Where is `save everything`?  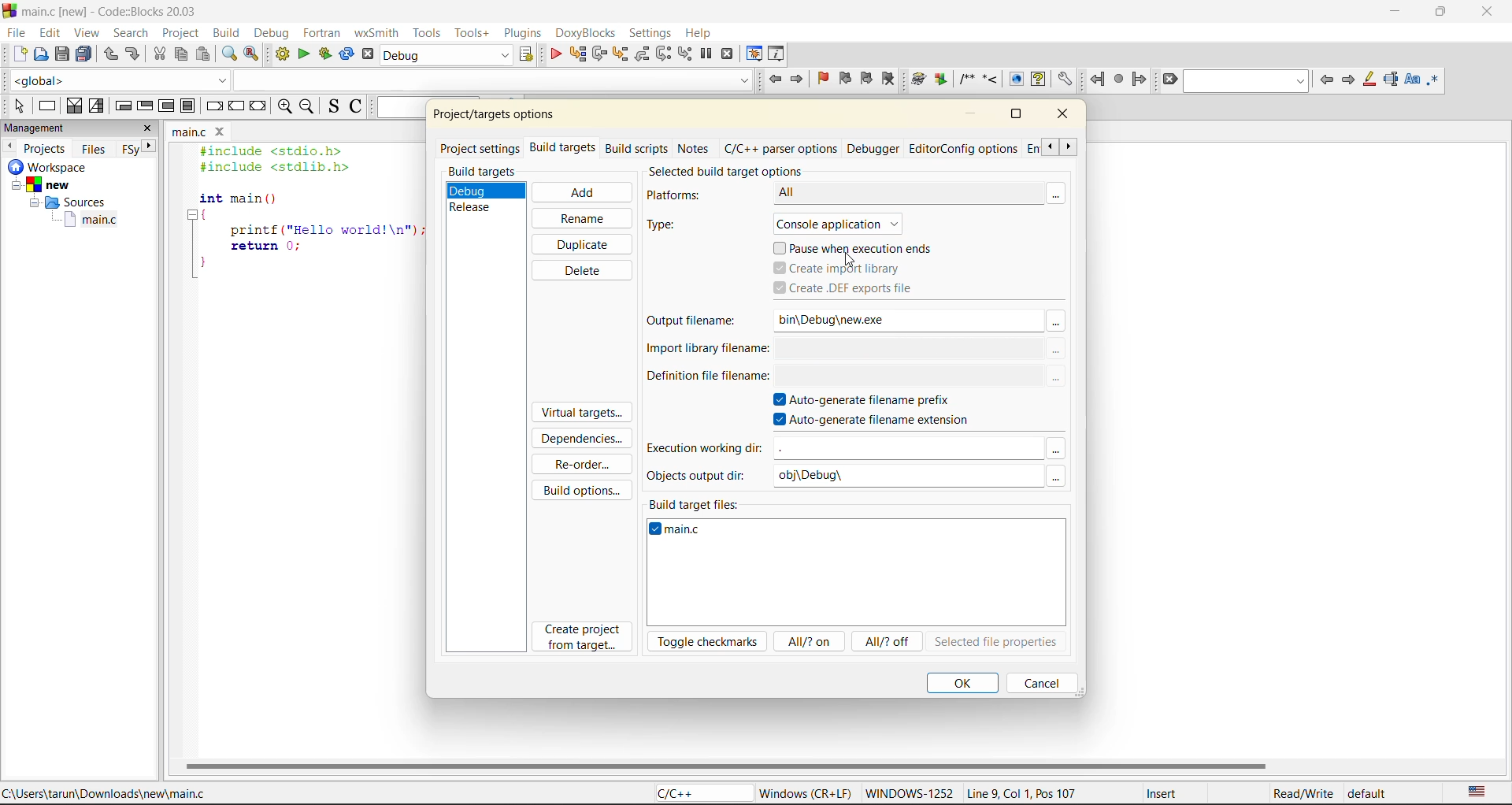 save everything is located at coordinates (85, 54).